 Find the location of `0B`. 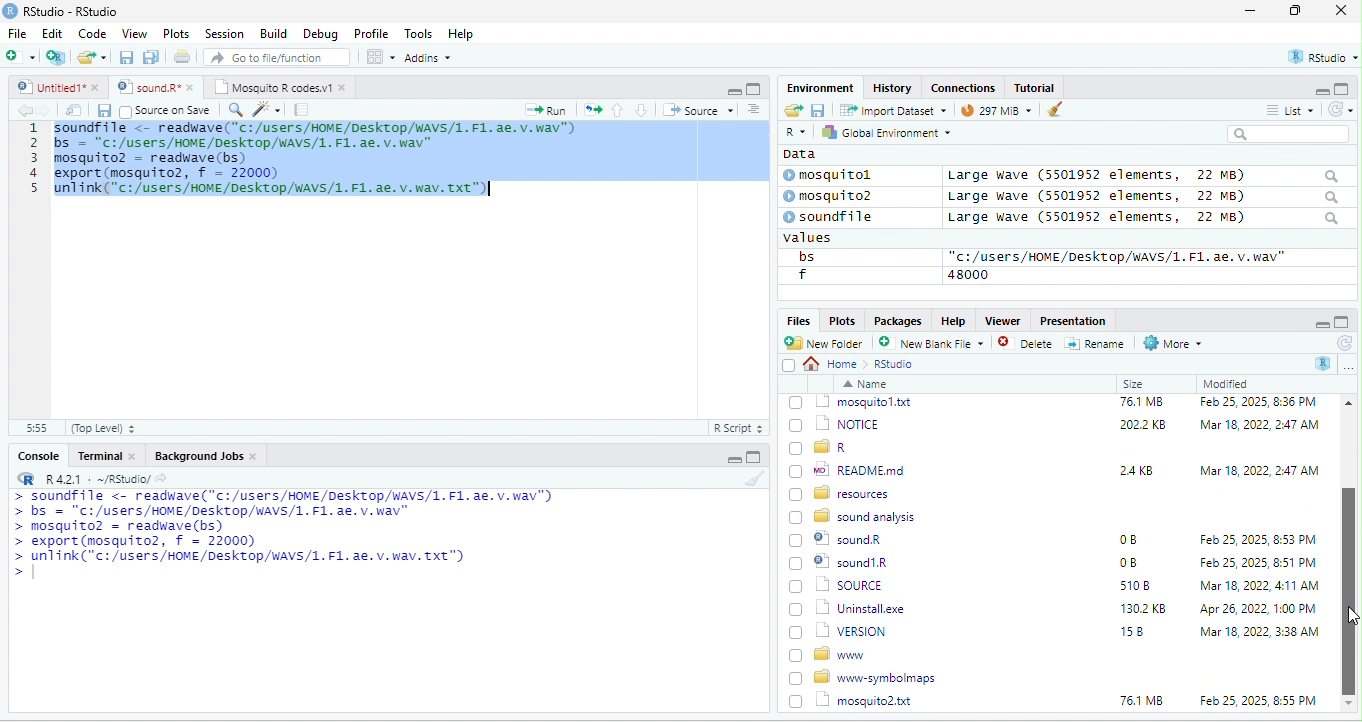

0B is located at coordinates (1121, 426).